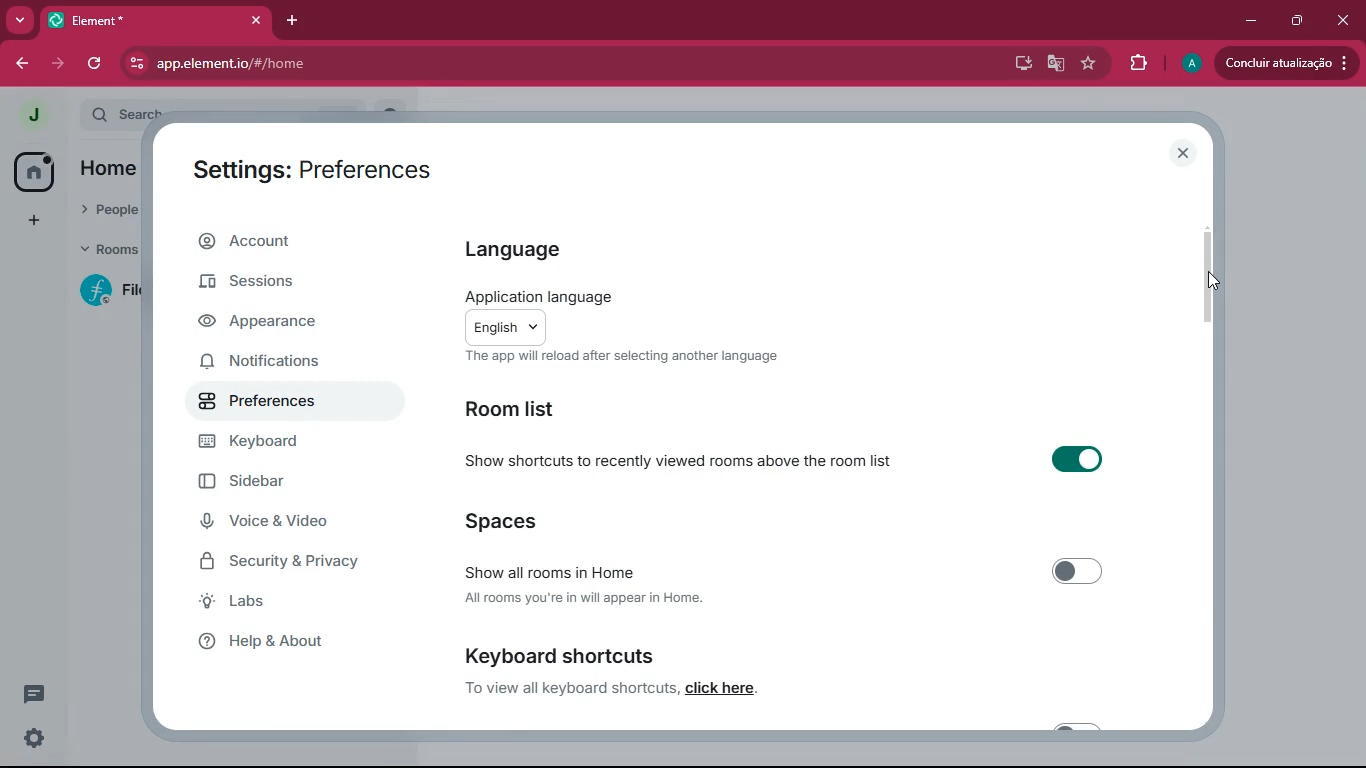  I want to click on account, so click(299, 241).